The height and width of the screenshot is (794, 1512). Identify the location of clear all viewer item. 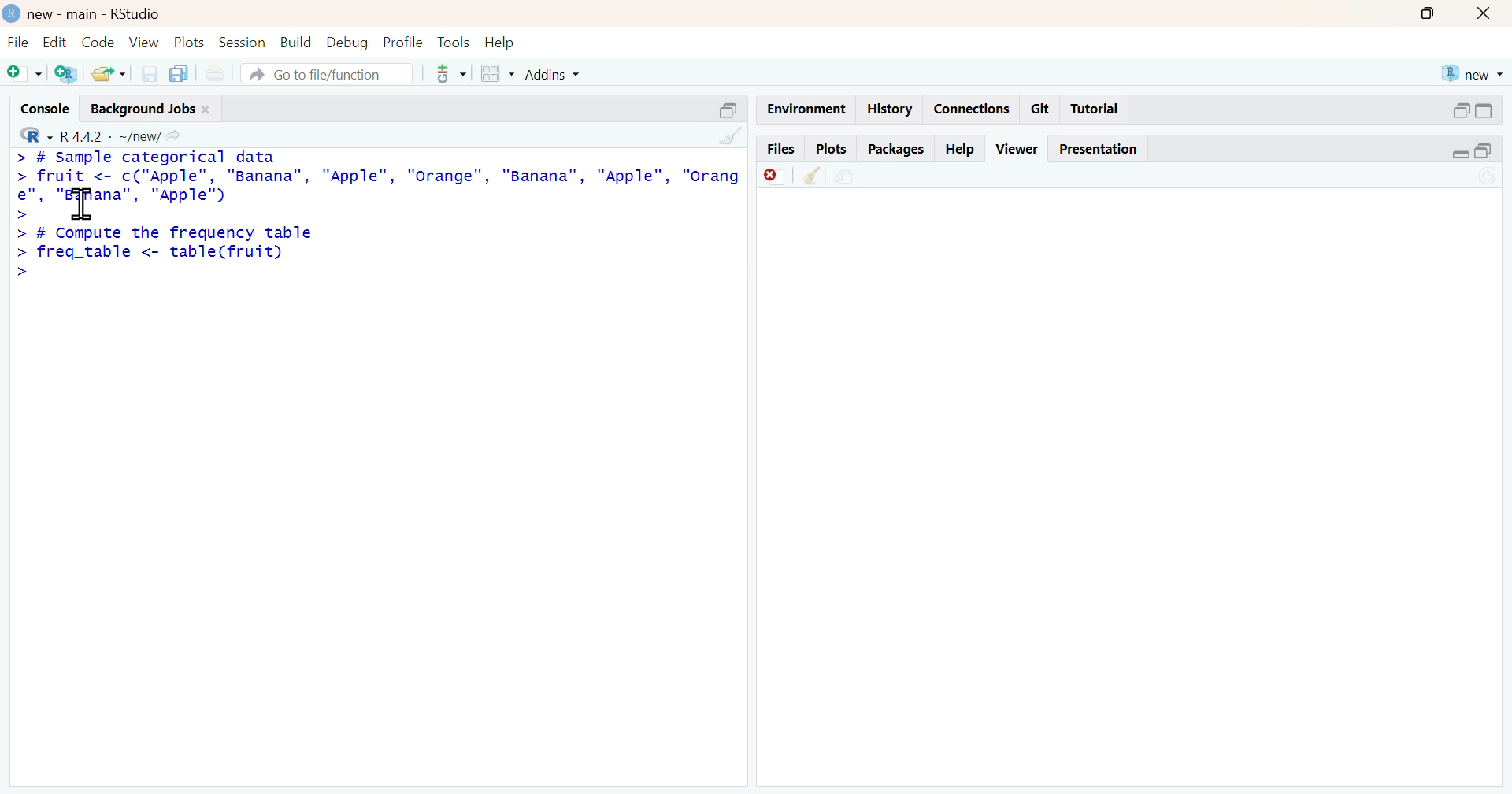
(813, 177).